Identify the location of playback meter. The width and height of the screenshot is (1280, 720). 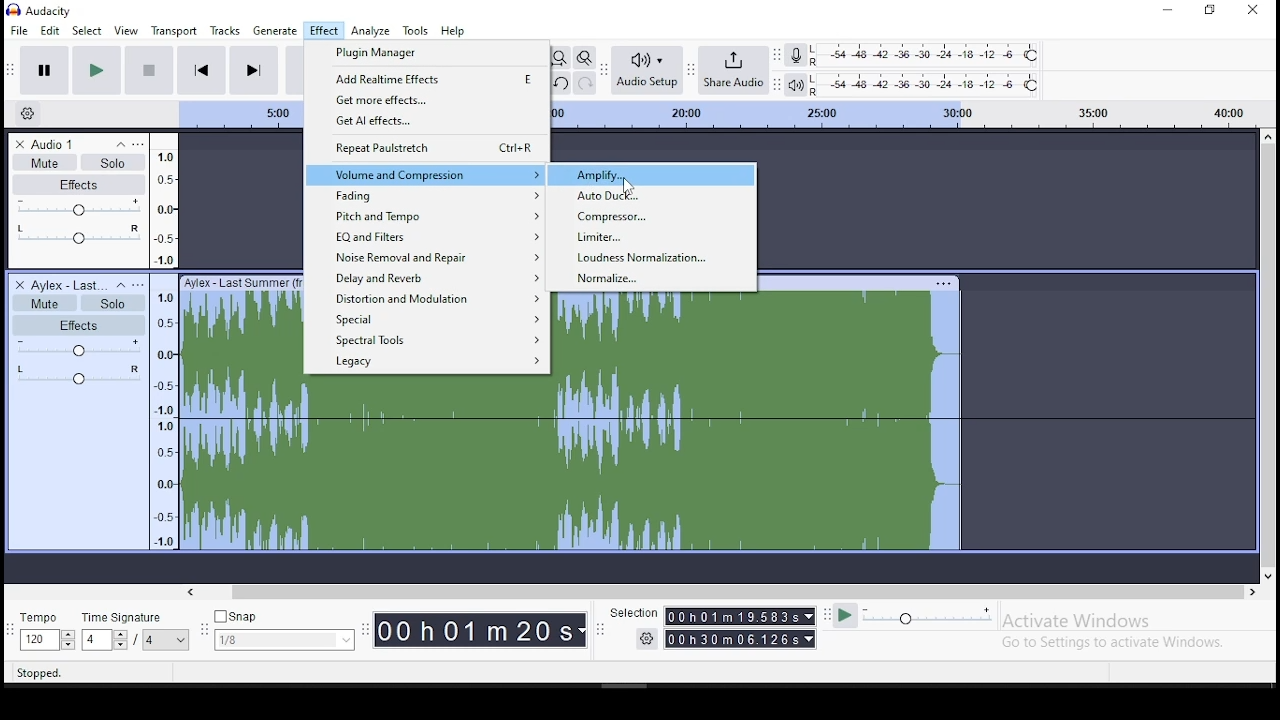
(795, 85).